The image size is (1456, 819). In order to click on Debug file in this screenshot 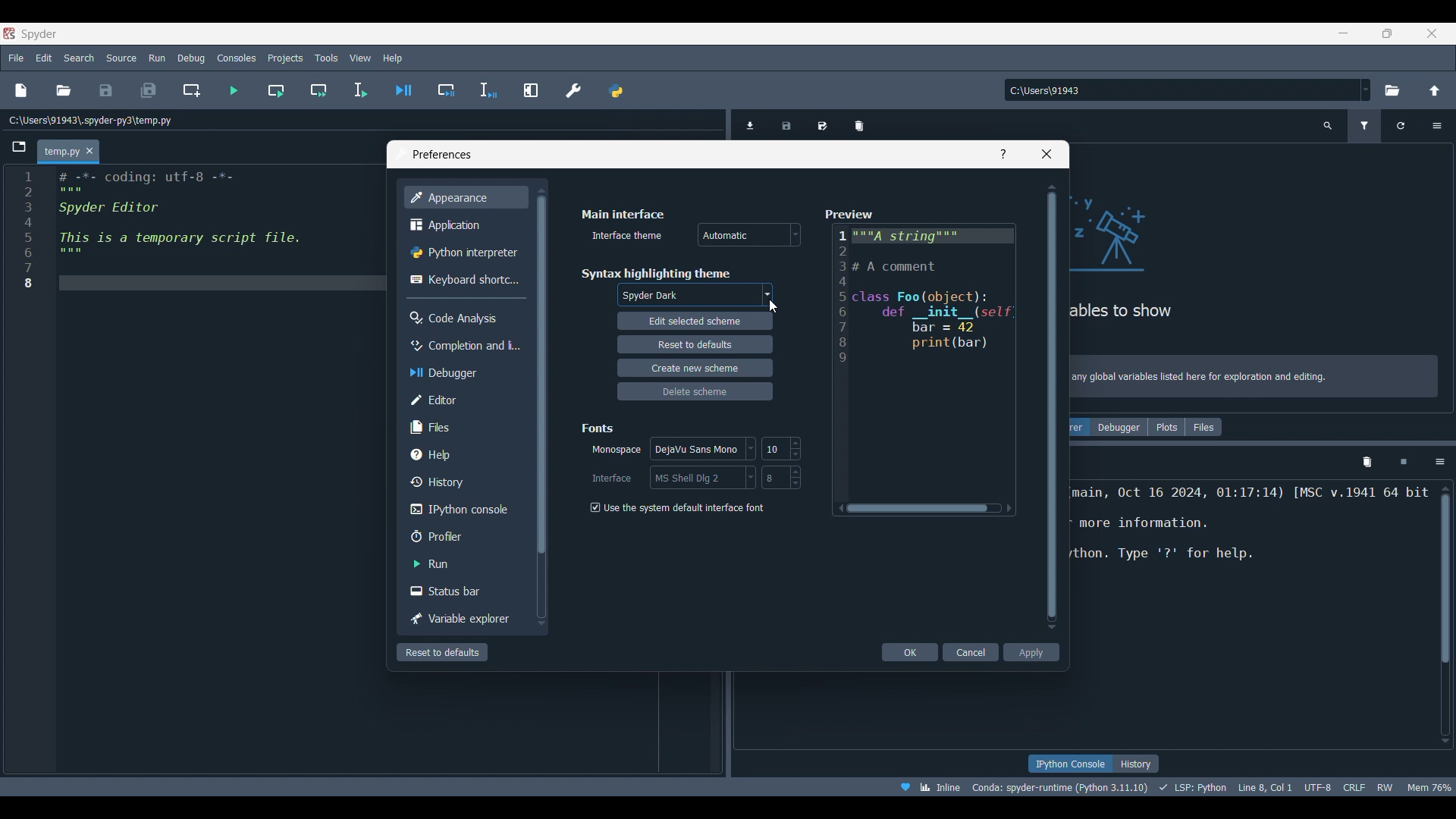, I will do `click(403, 89)`.